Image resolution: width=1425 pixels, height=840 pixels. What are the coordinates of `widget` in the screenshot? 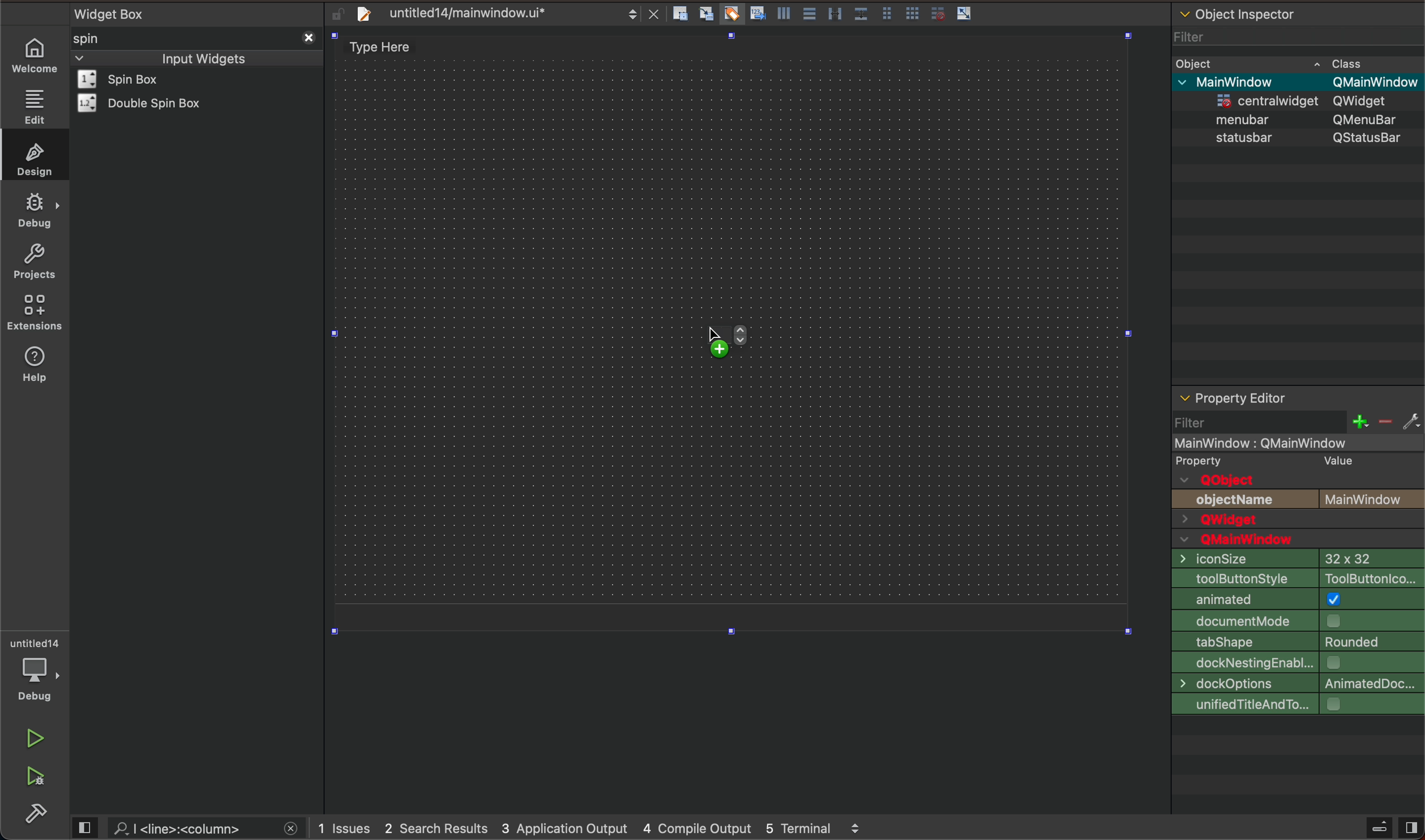 It's located at (146, 103).